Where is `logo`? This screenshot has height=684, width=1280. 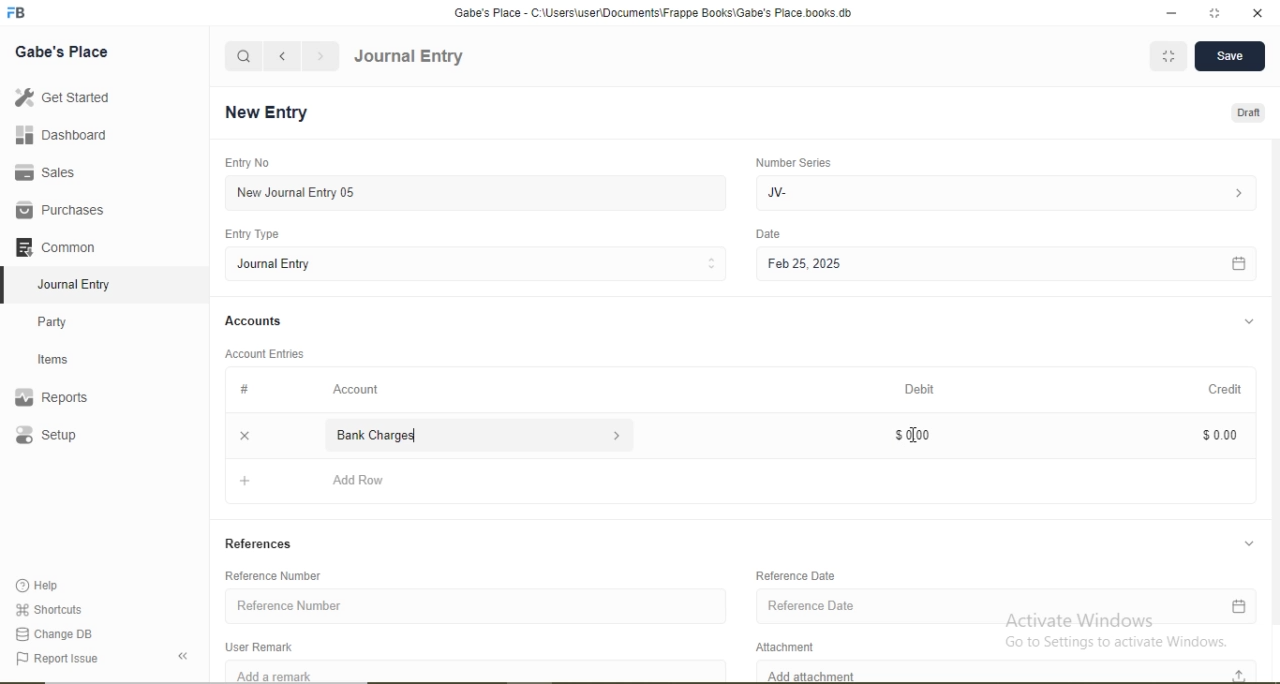 logo is located at coordinates (18, 13).